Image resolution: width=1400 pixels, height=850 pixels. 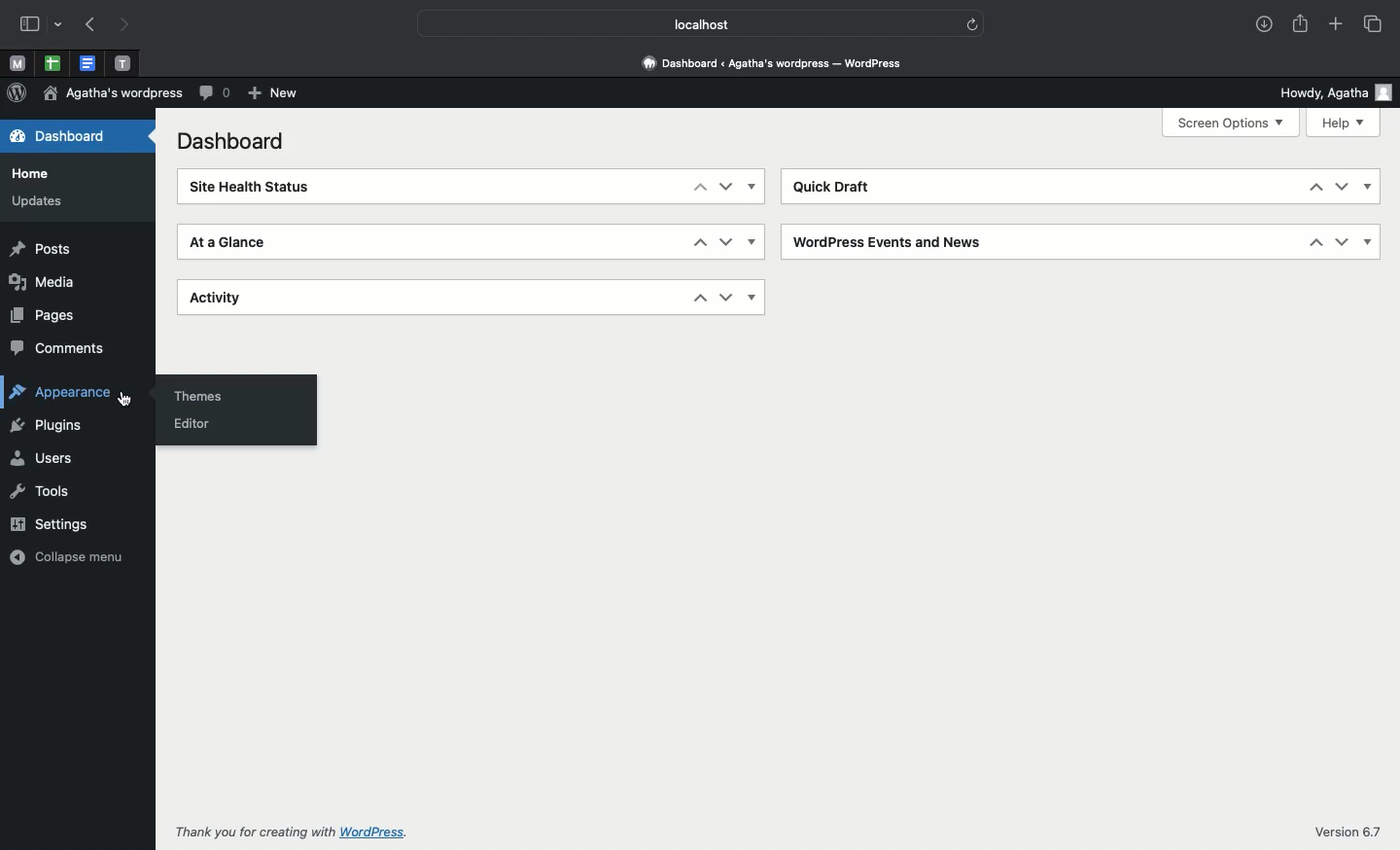 What do you see at coordinates (1370, 240) in the screenshot?
I see `Show` at bounding box center [1370, 240].